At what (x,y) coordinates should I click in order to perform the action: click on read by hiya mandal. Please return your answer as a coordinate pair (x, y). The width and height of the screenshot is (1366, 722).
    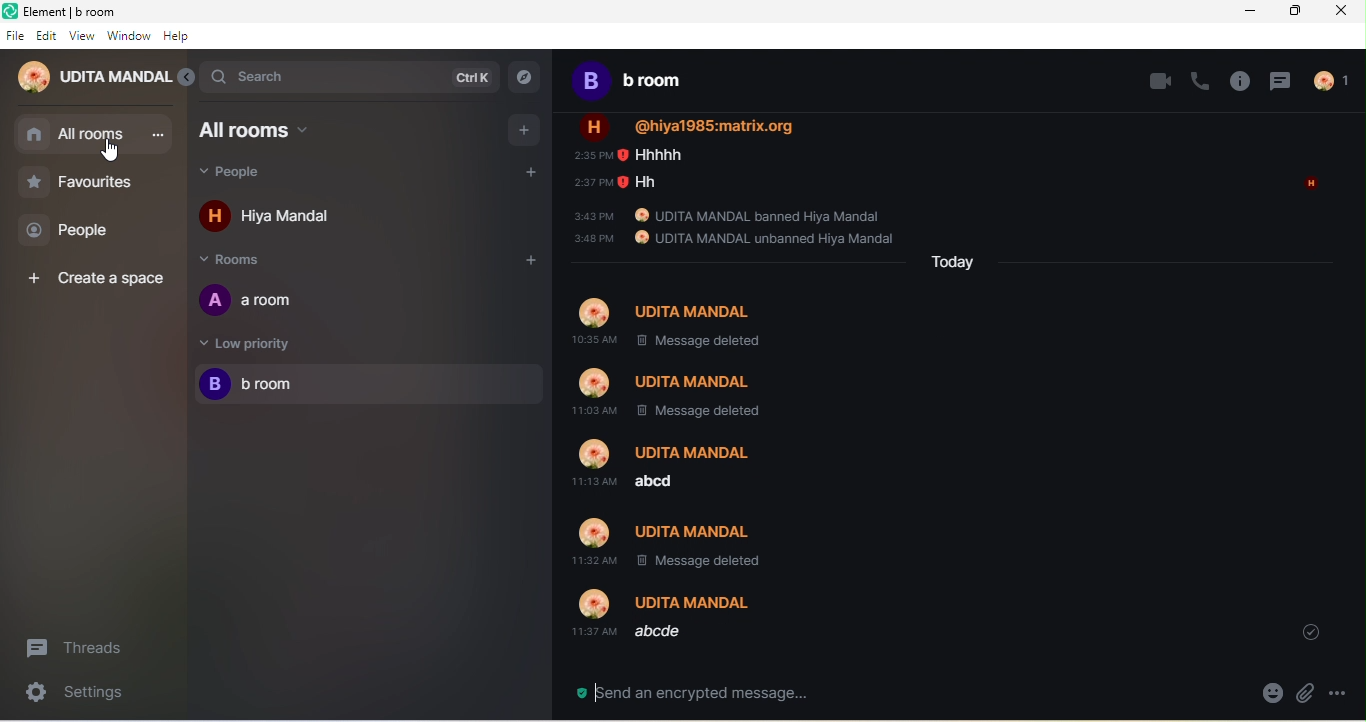
    Looking at the image, I should click on (1310, 183).